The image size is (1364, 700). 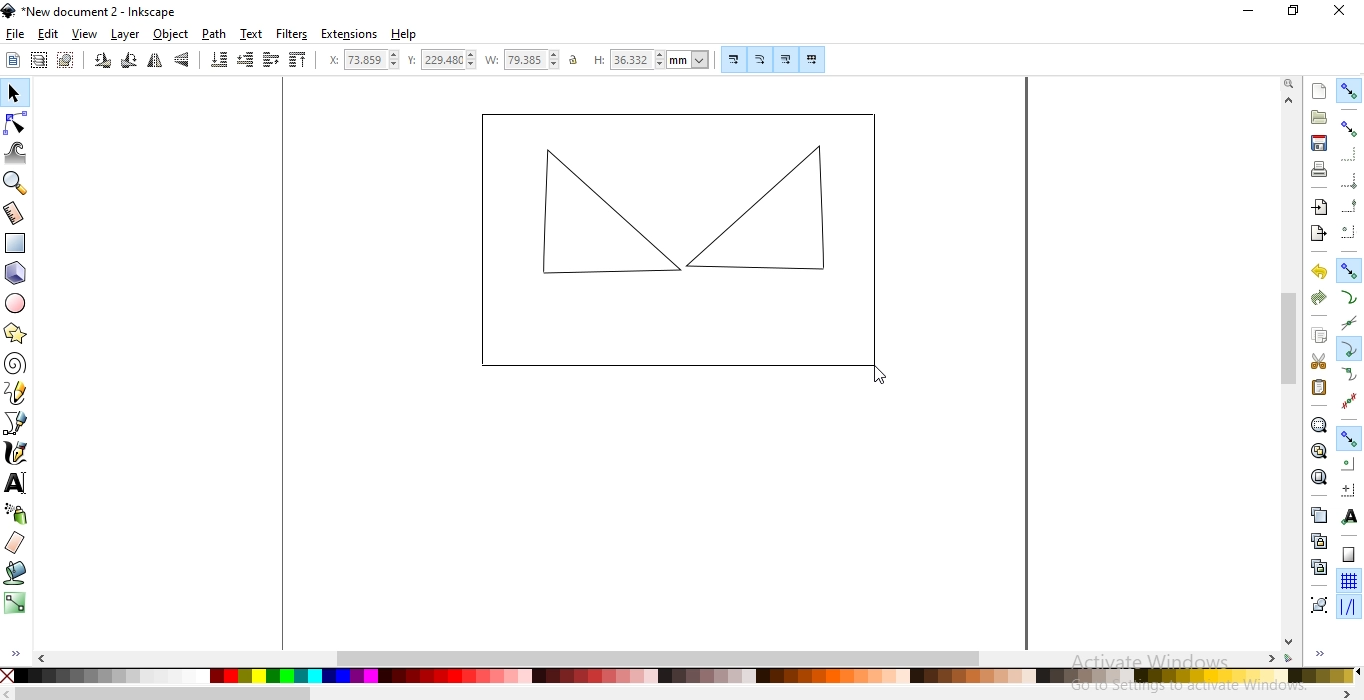 I want to click on raise selection to top, so click(x=298, y=60).